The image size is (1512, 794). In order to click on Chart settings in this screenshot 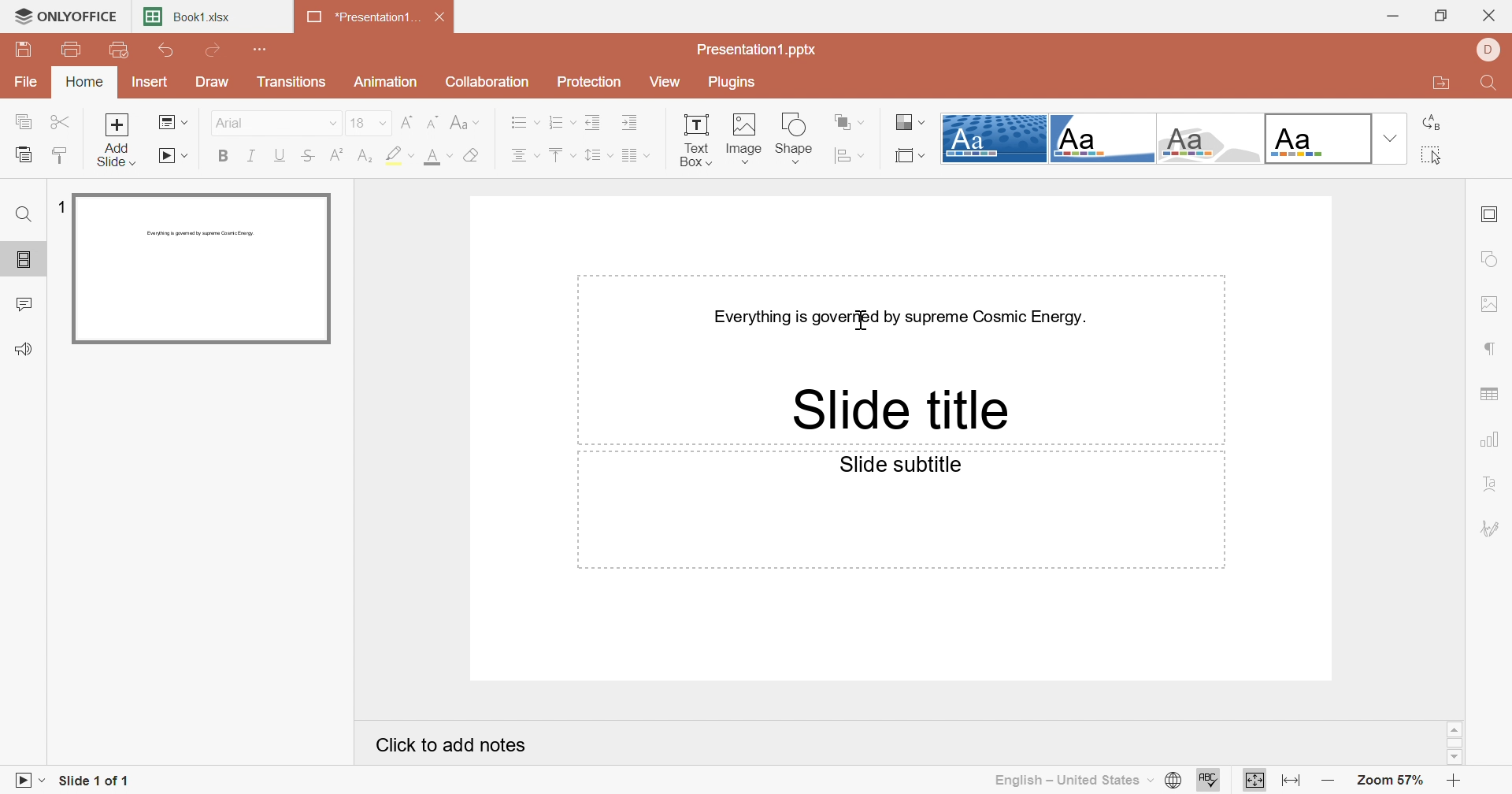, I will do `click(1490, 442)`.